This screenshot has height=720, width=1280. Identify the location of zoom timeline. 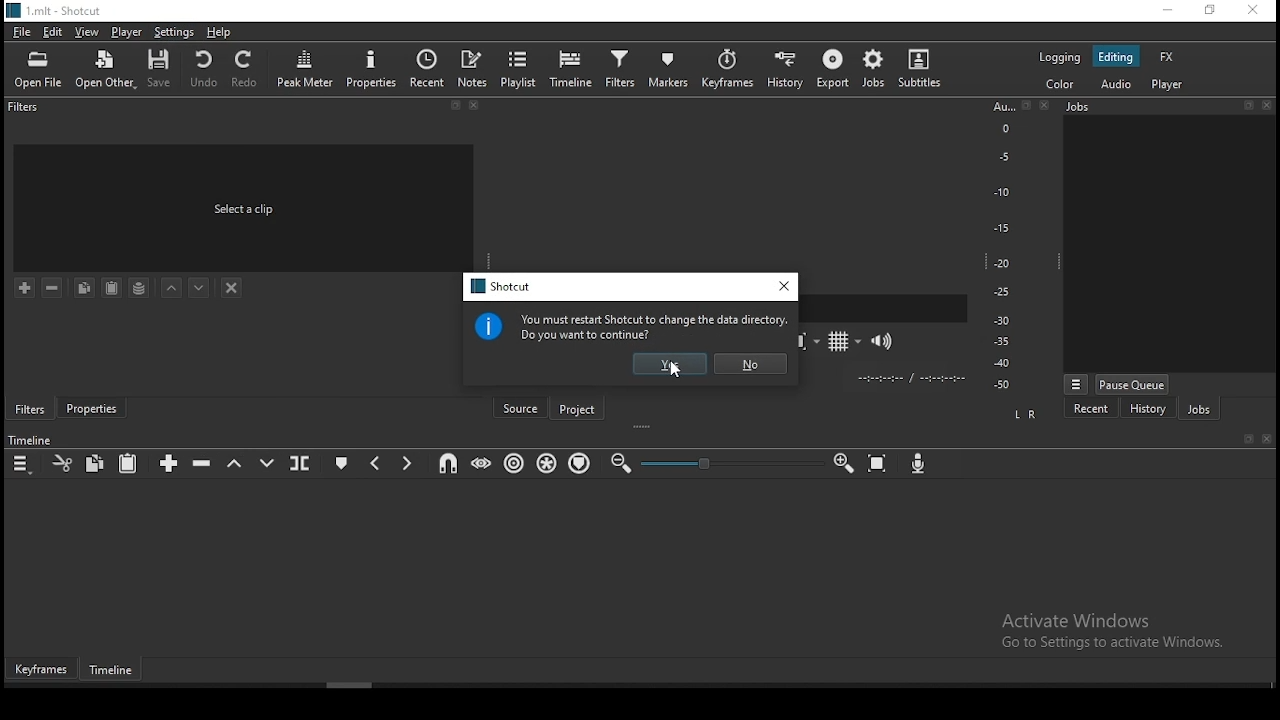
(843, 463).